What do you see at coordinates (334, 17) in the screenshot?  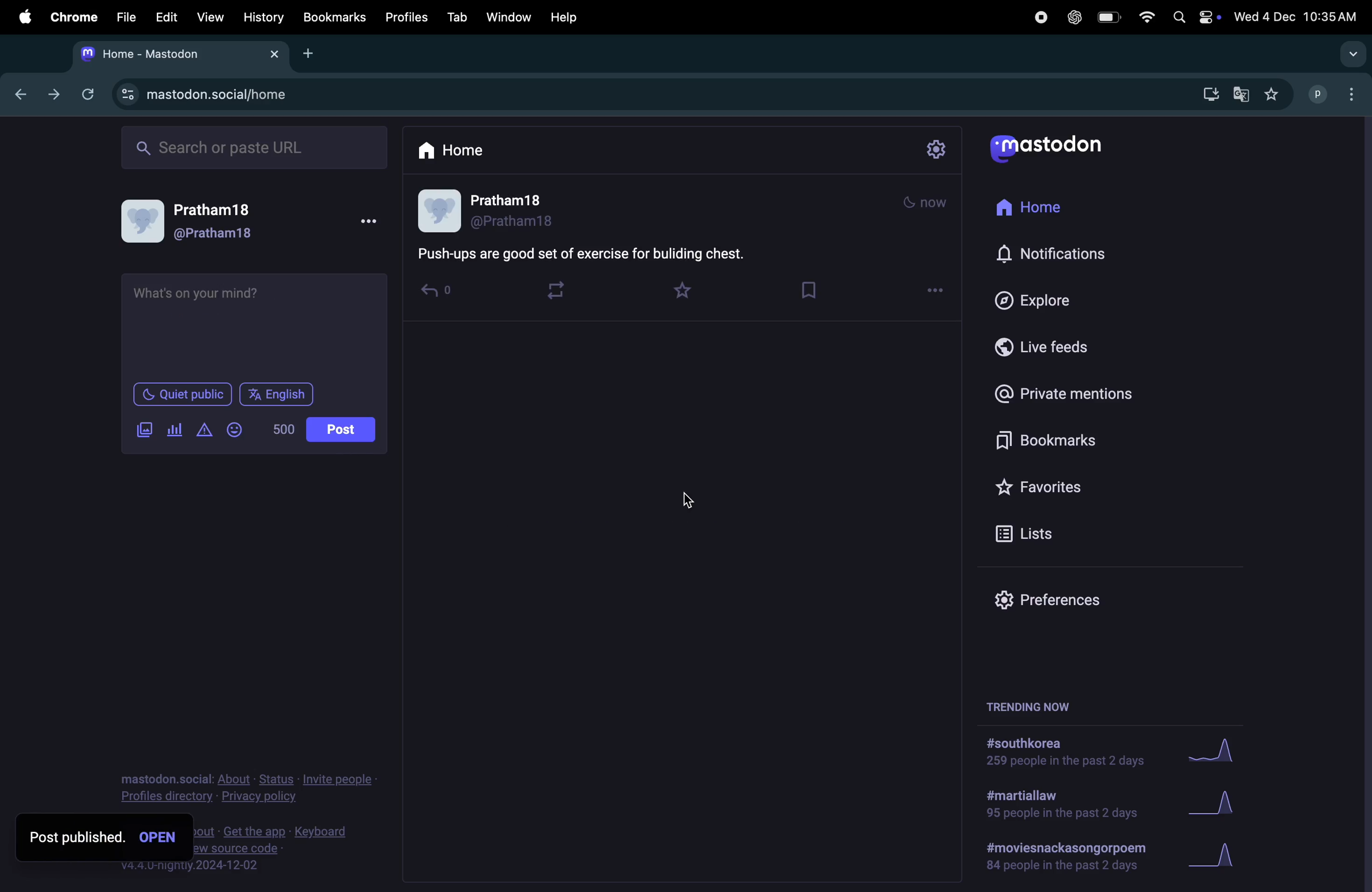 I see `Bookmarks` at bounding box center [334, 17].